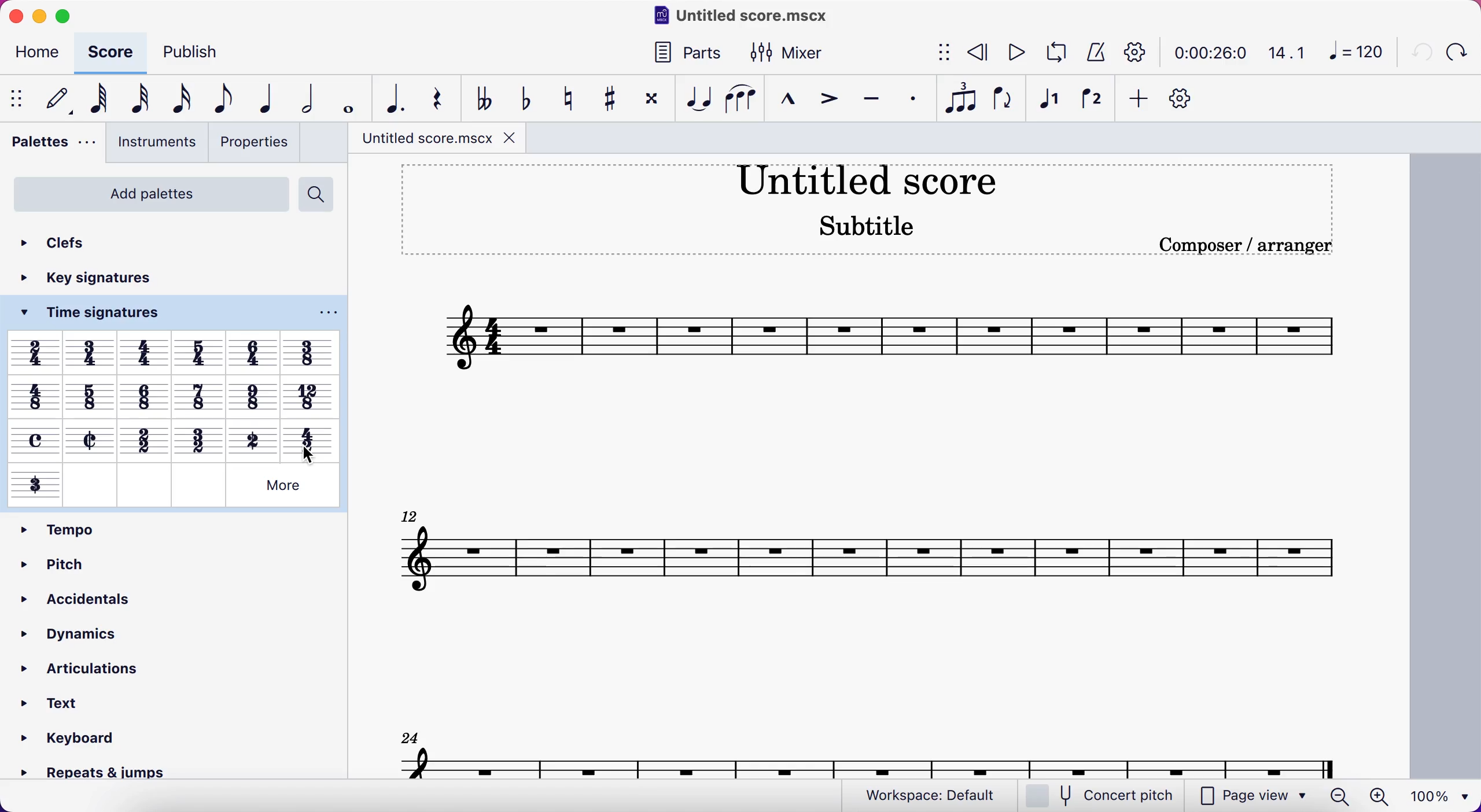 Image resolution: width=1481 pixels, height=812 pixels. Describe the element at coordinates (310, 438) in the screenshot. I see `` at that location.